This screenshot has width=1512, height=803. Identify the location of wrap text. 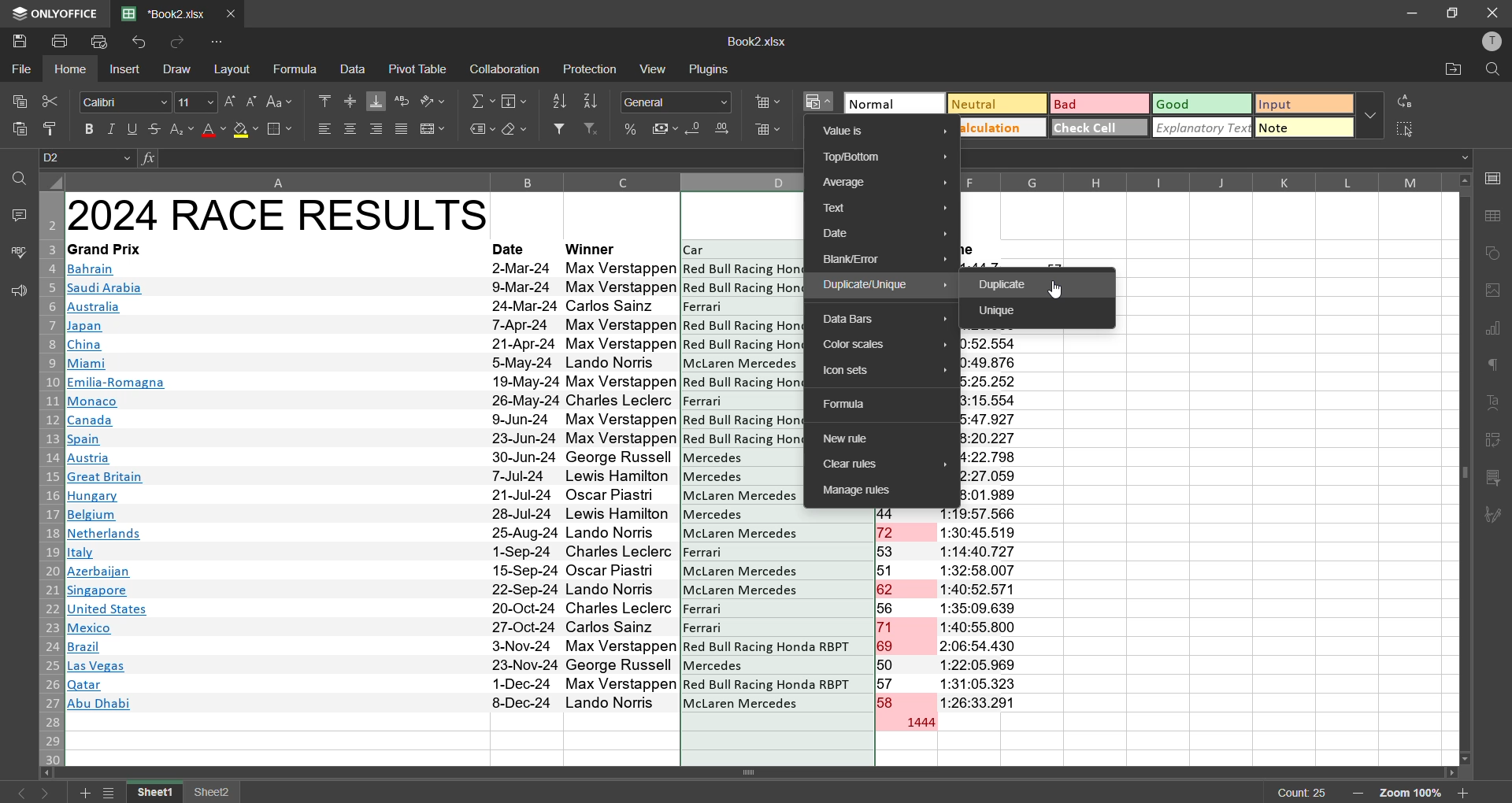
(402, 102).